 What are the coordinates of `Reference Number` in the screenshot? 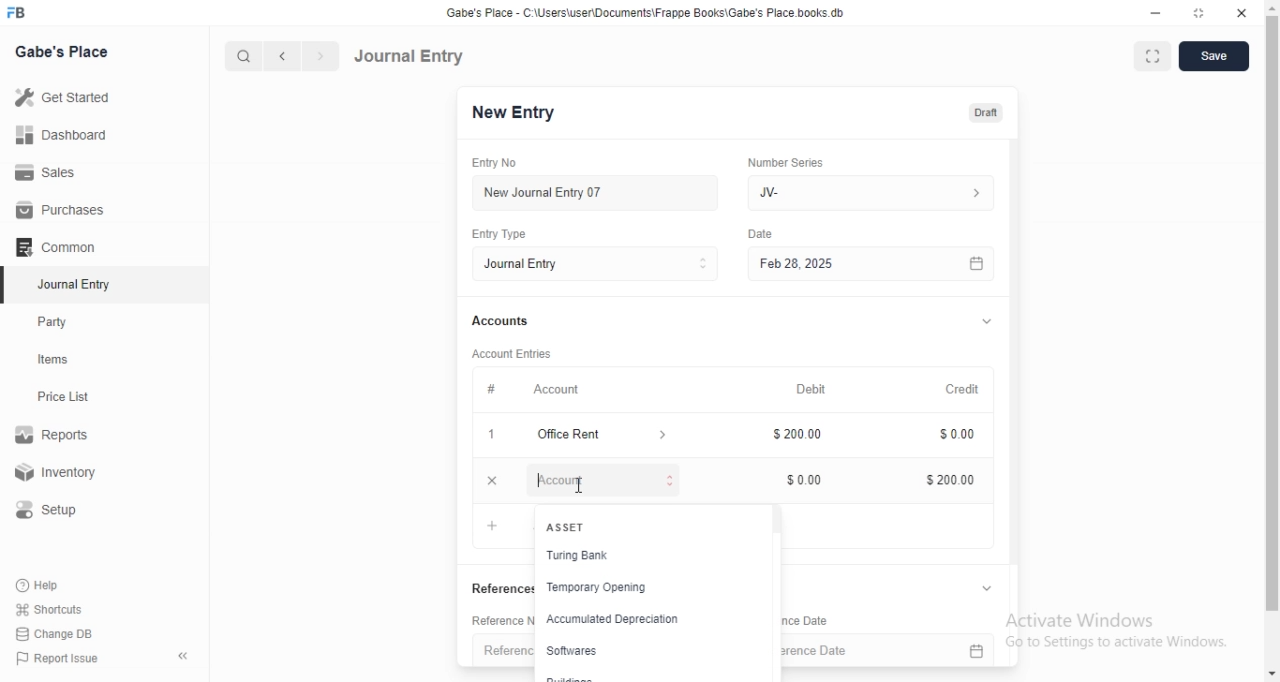 It's located at (505, 622).